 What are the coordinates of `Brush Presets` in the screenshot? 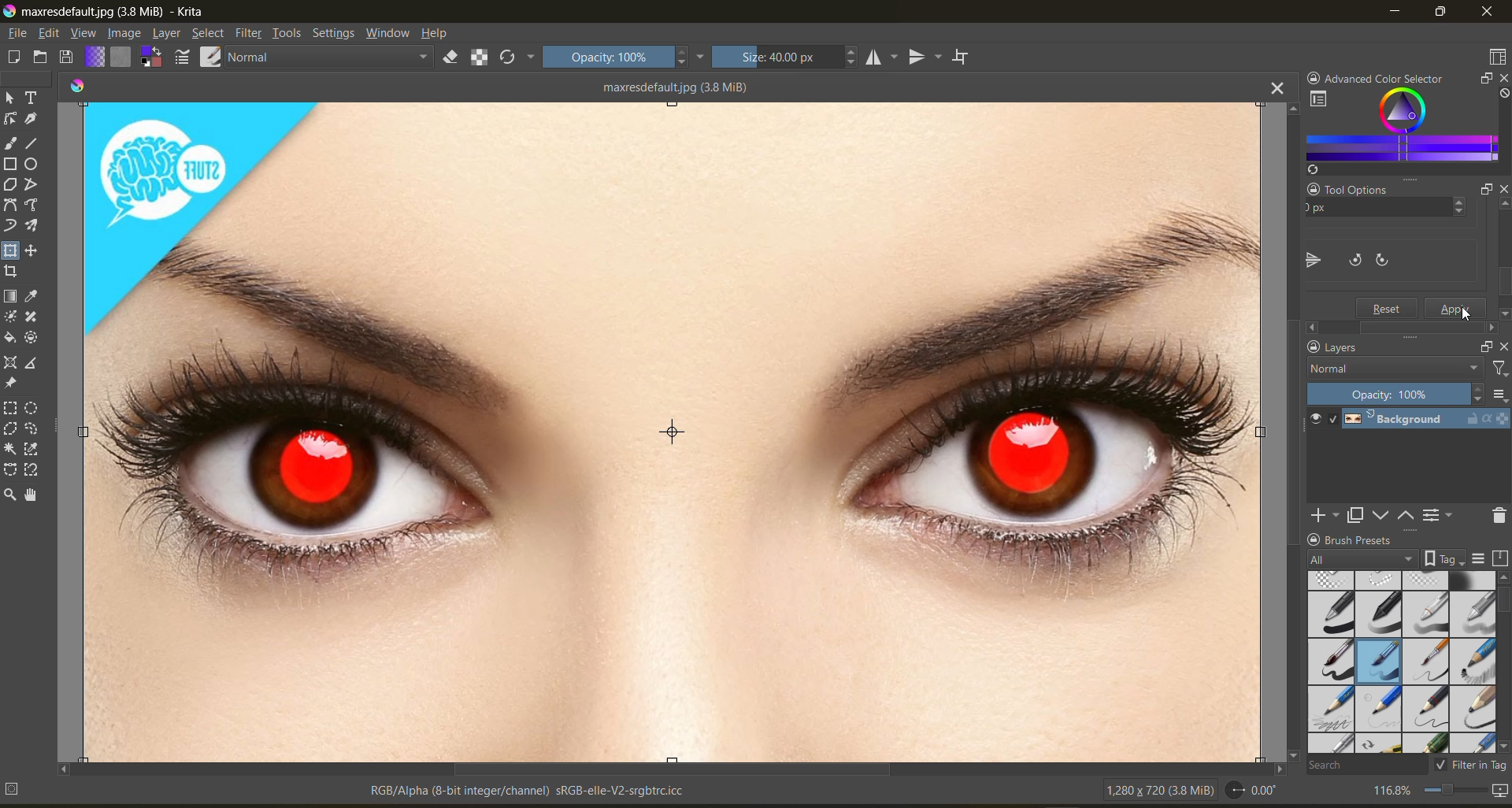 It's located at (1392, 539).